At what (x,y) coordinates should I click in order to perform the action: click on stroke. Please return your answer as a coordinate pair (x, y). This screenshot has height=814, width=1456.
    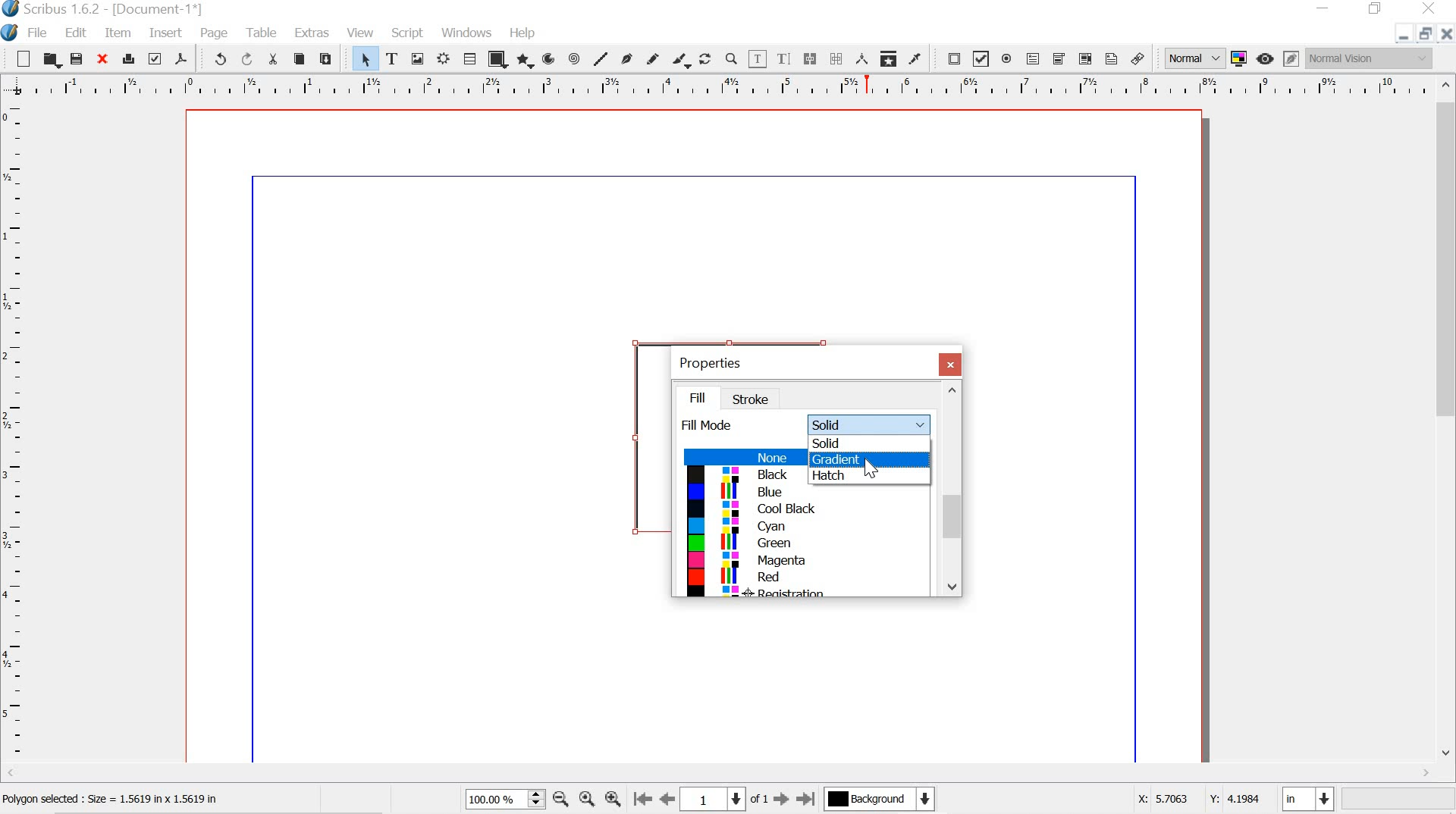
    Looking at the image, I should click on (755, 399).